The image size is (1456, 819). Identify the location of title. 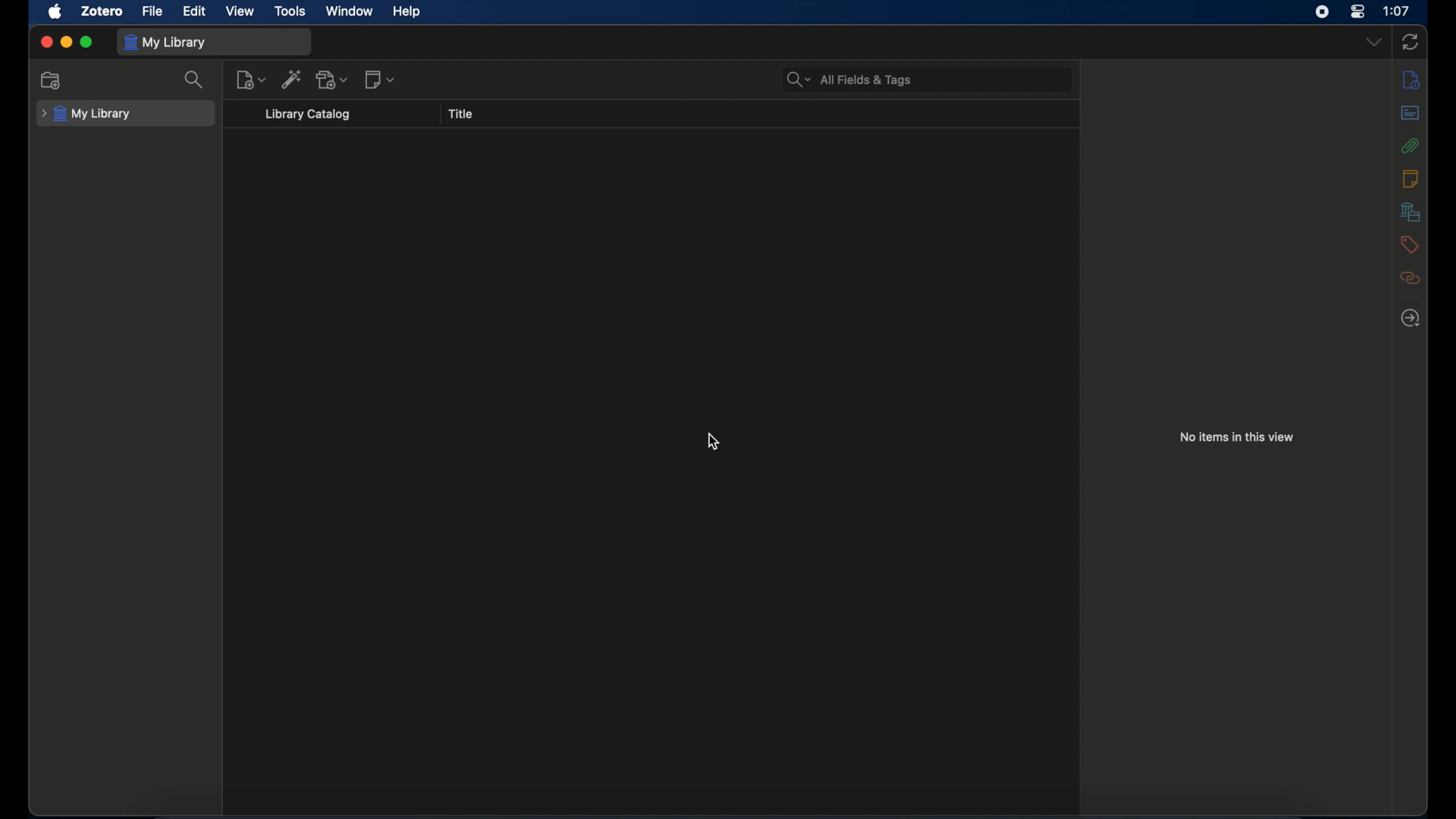
(460, 115).